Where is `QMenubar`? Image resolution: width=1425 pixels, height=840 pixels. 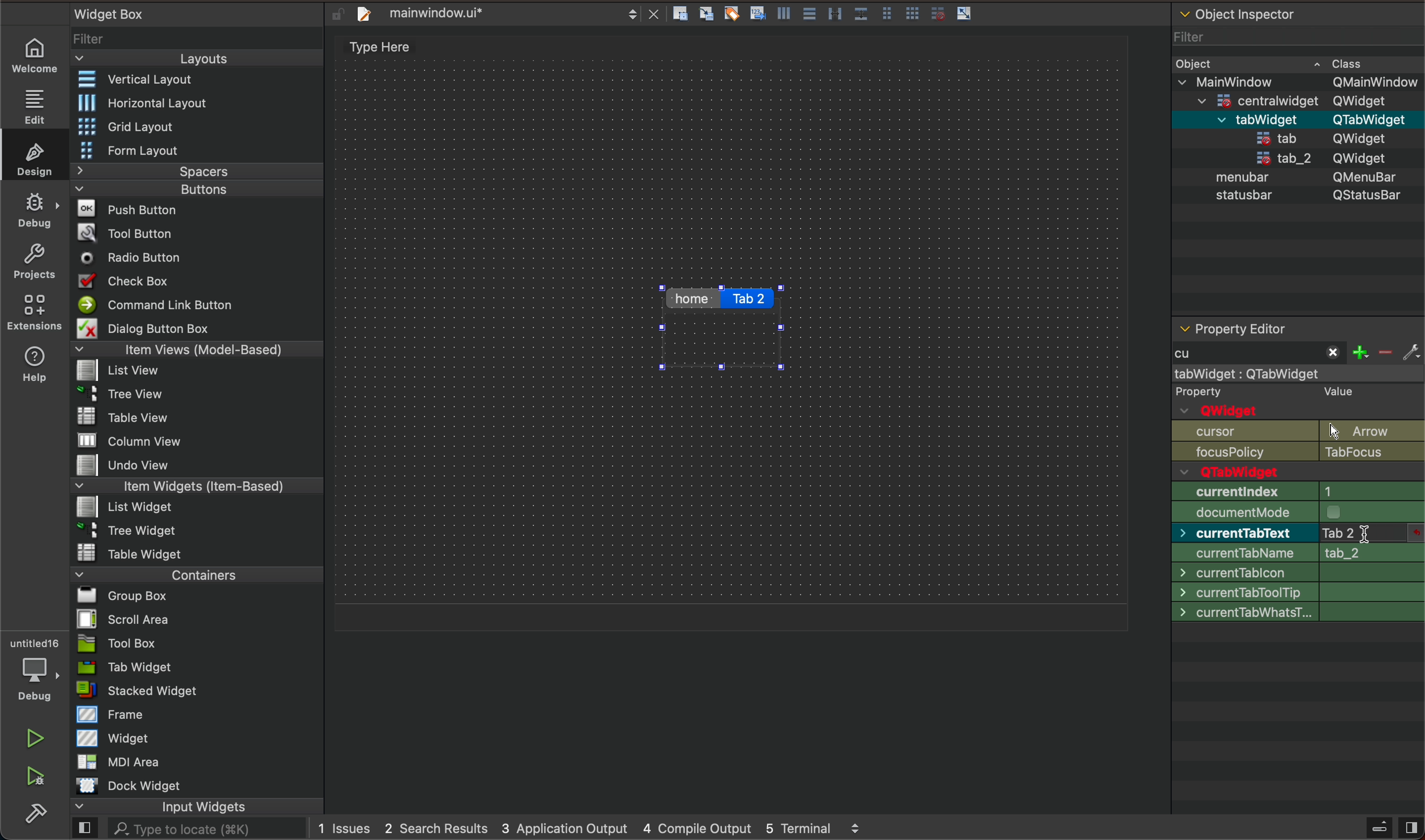 QMenubar is located at coordinates (1355, 179).